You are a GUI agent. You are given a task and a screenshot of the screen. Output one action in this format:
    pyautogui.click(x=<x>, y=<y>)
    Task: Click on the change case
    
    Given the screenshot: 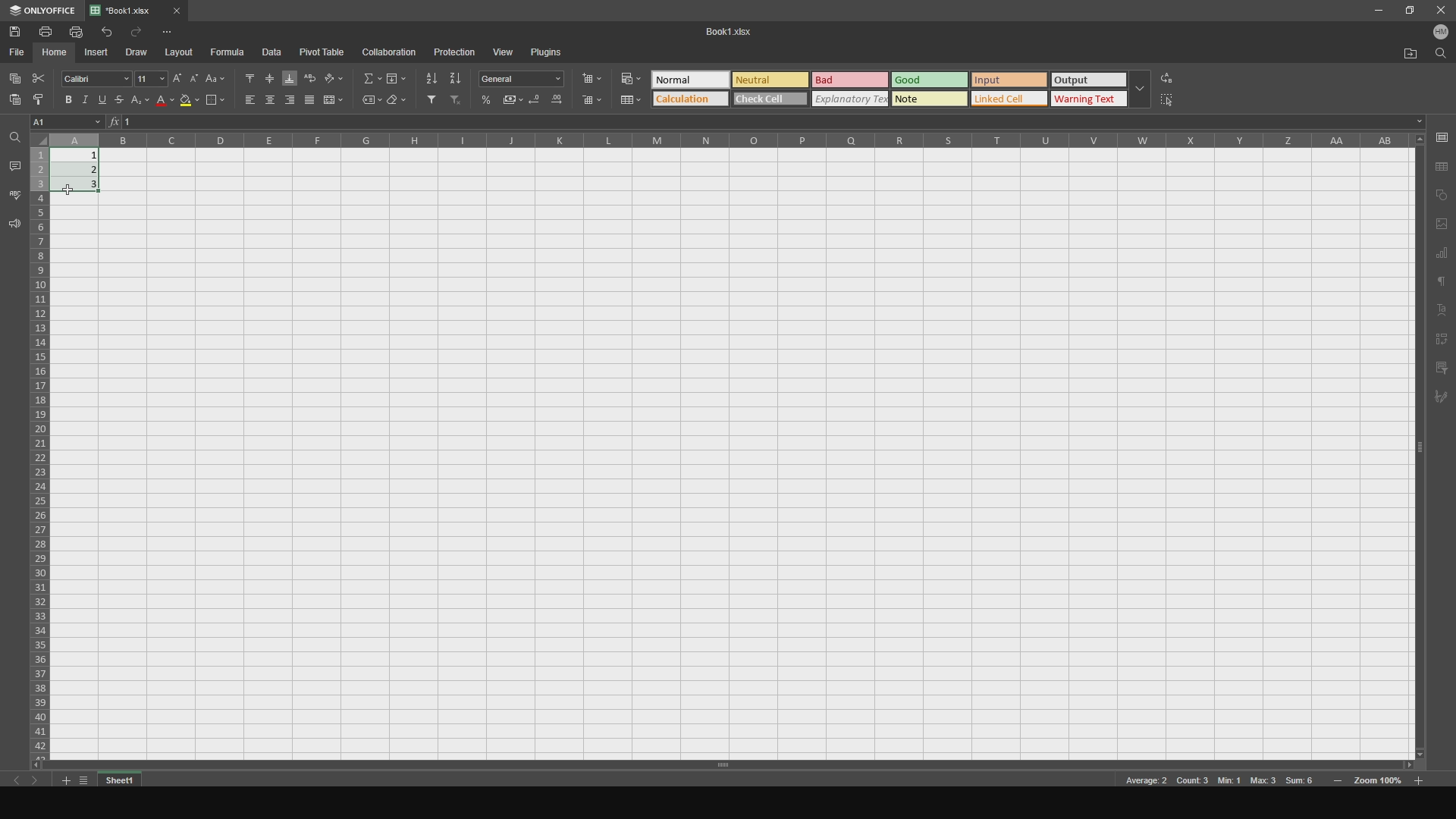 What is the action you would take?
    pyautogui.click(x=218, y=77)
    